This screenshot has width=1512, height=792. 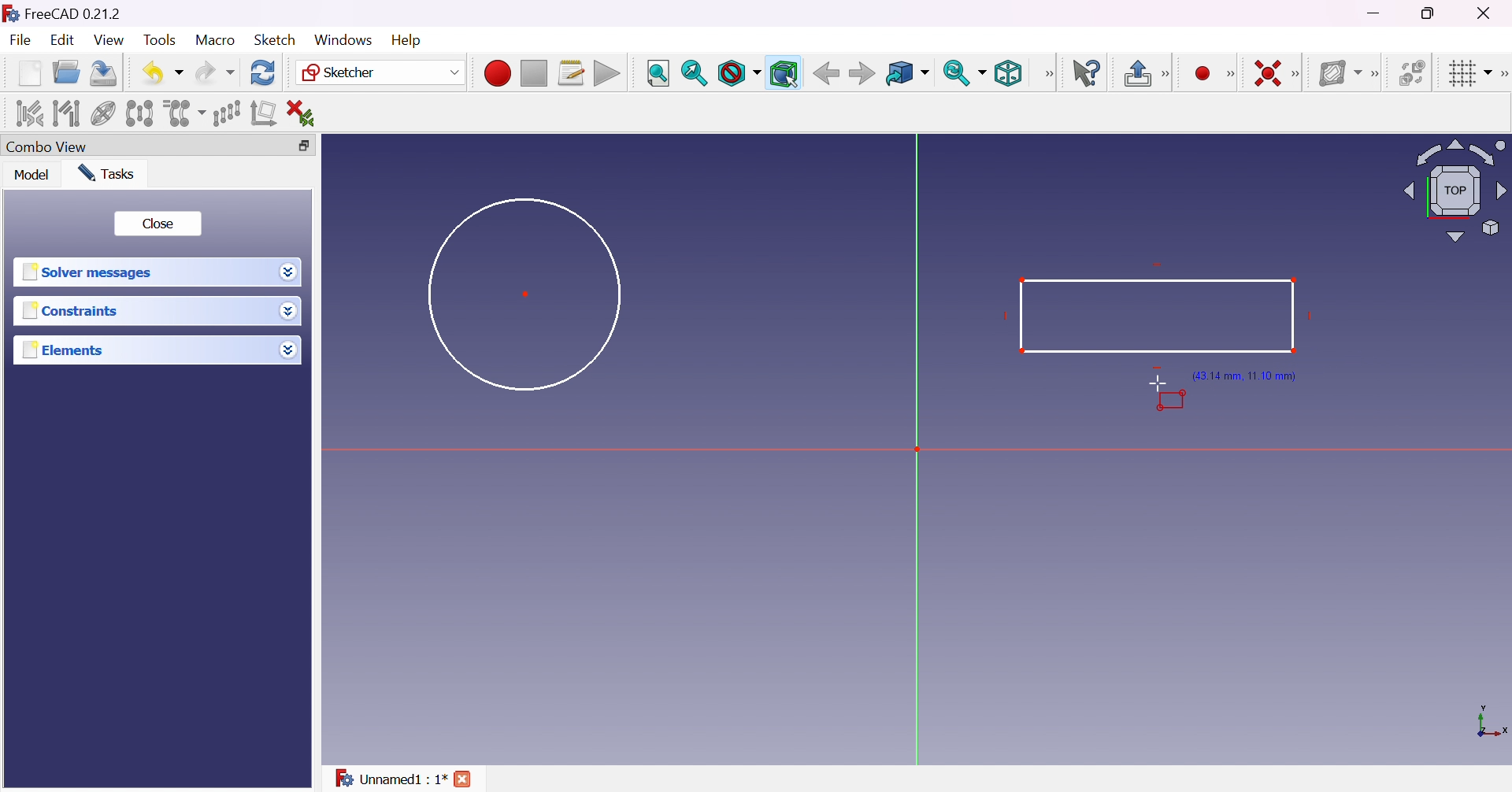 I want to click on Show/hide internal geometry, so click(x=105, y=115).